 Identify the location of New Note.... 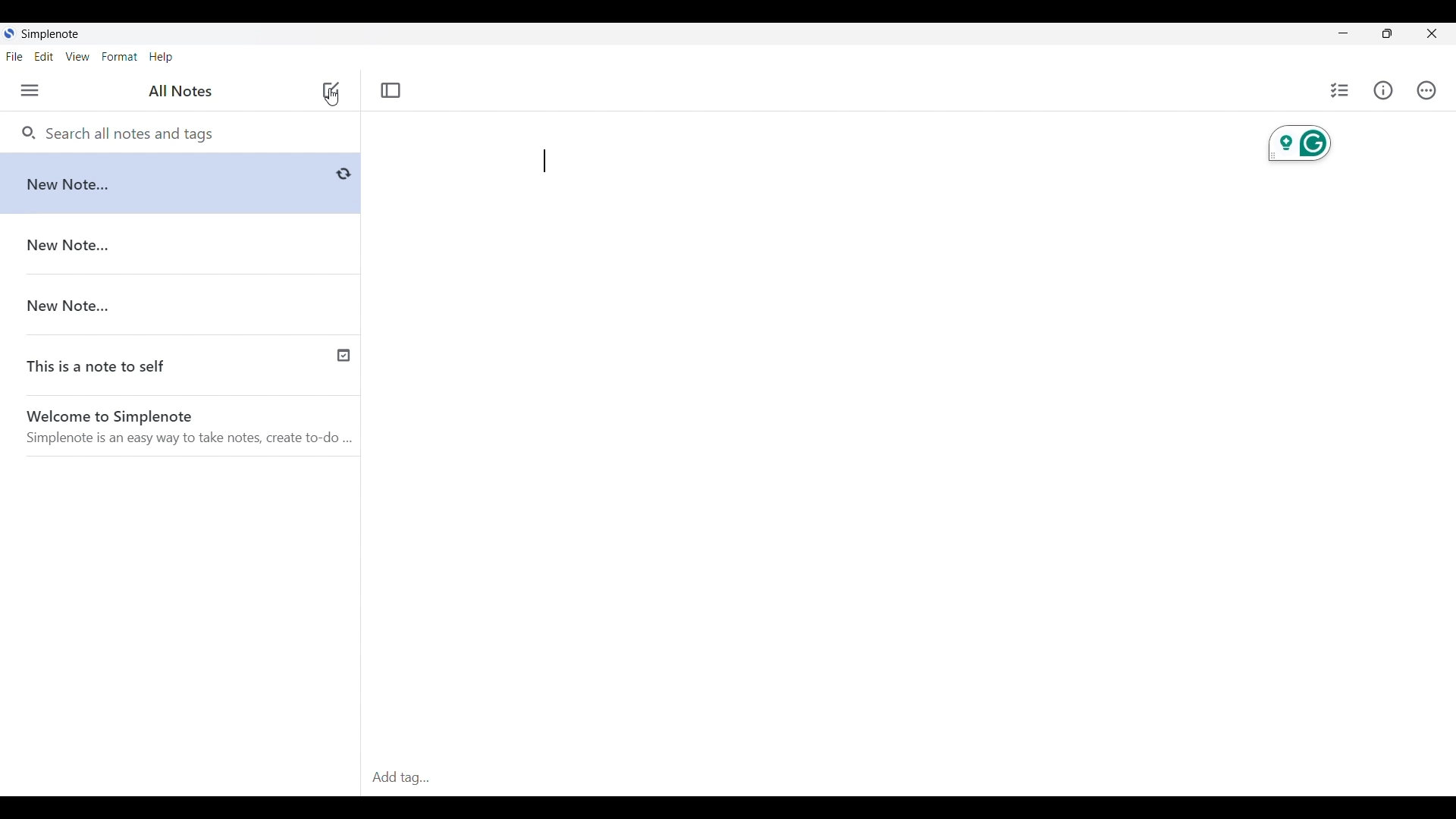
(177, 248).